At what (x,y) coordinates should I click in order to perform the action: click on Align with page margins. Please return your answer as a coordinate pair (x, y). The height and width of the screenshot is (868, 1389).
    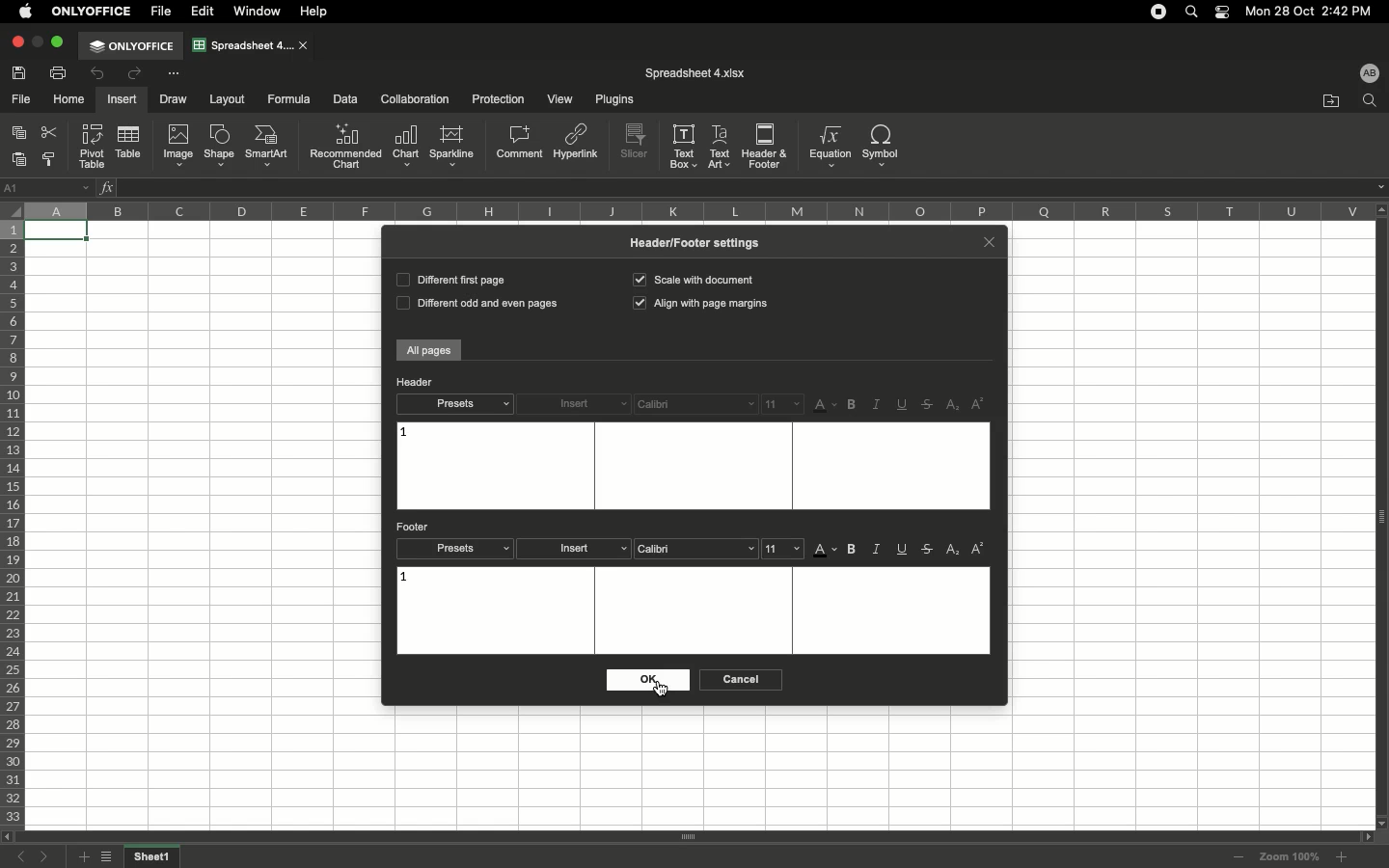
    Looking at the image, I should click on (702, 305).